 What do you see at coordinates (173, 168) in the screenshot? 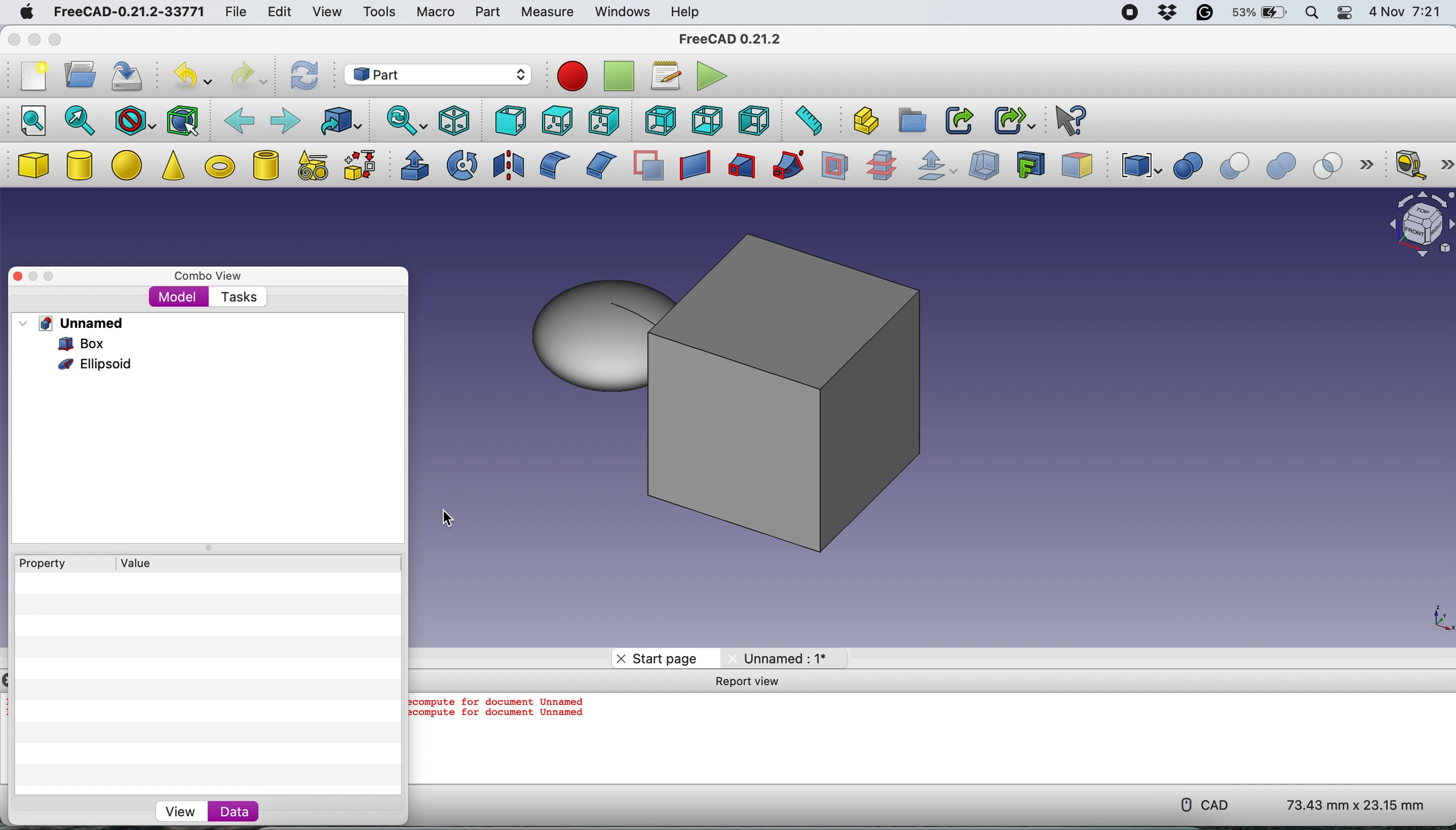
I see `cone` at bounding box center [173, 168].